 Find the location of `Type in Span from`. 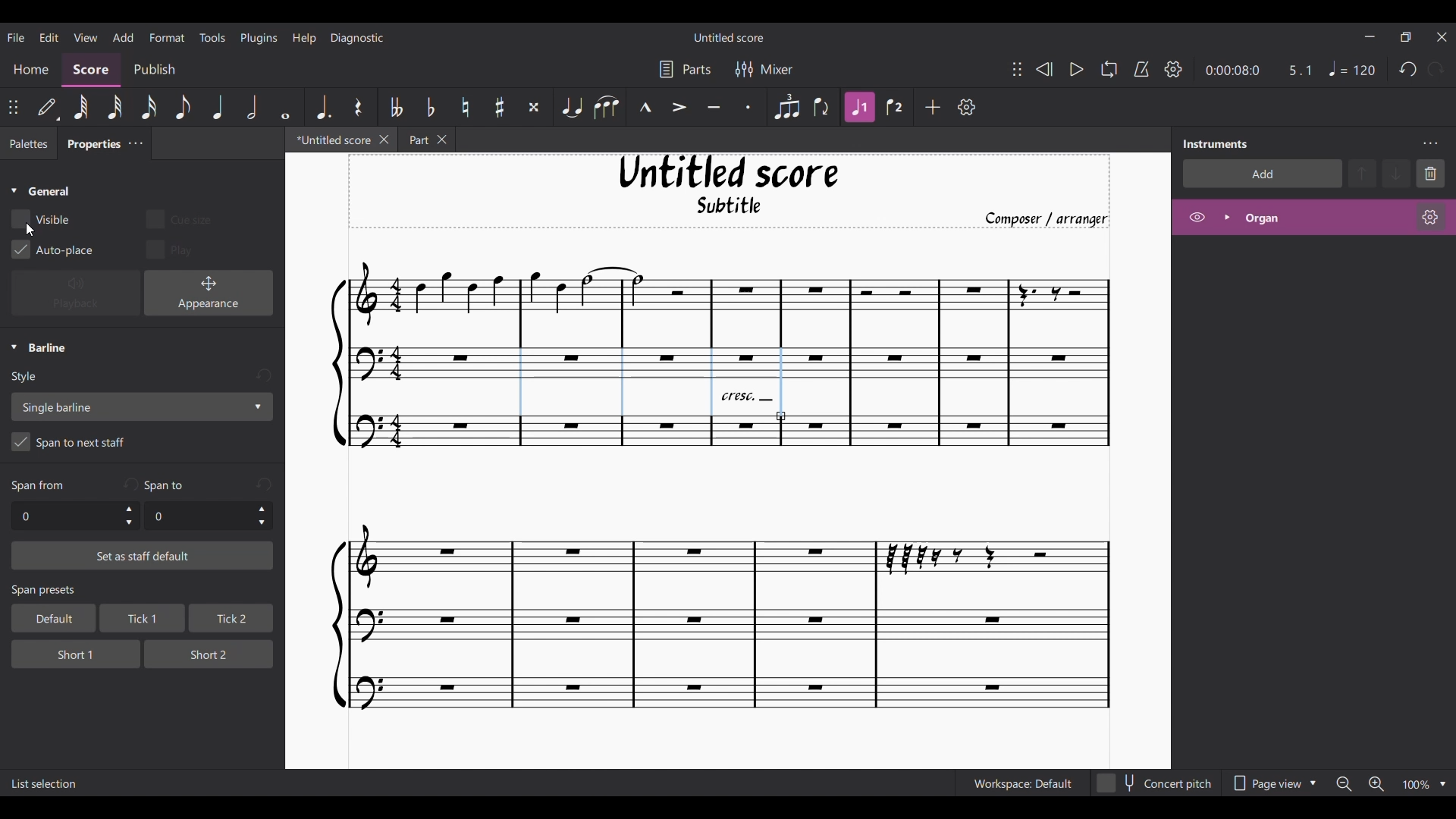

Type in Span from is located at coordinates (64, 516).